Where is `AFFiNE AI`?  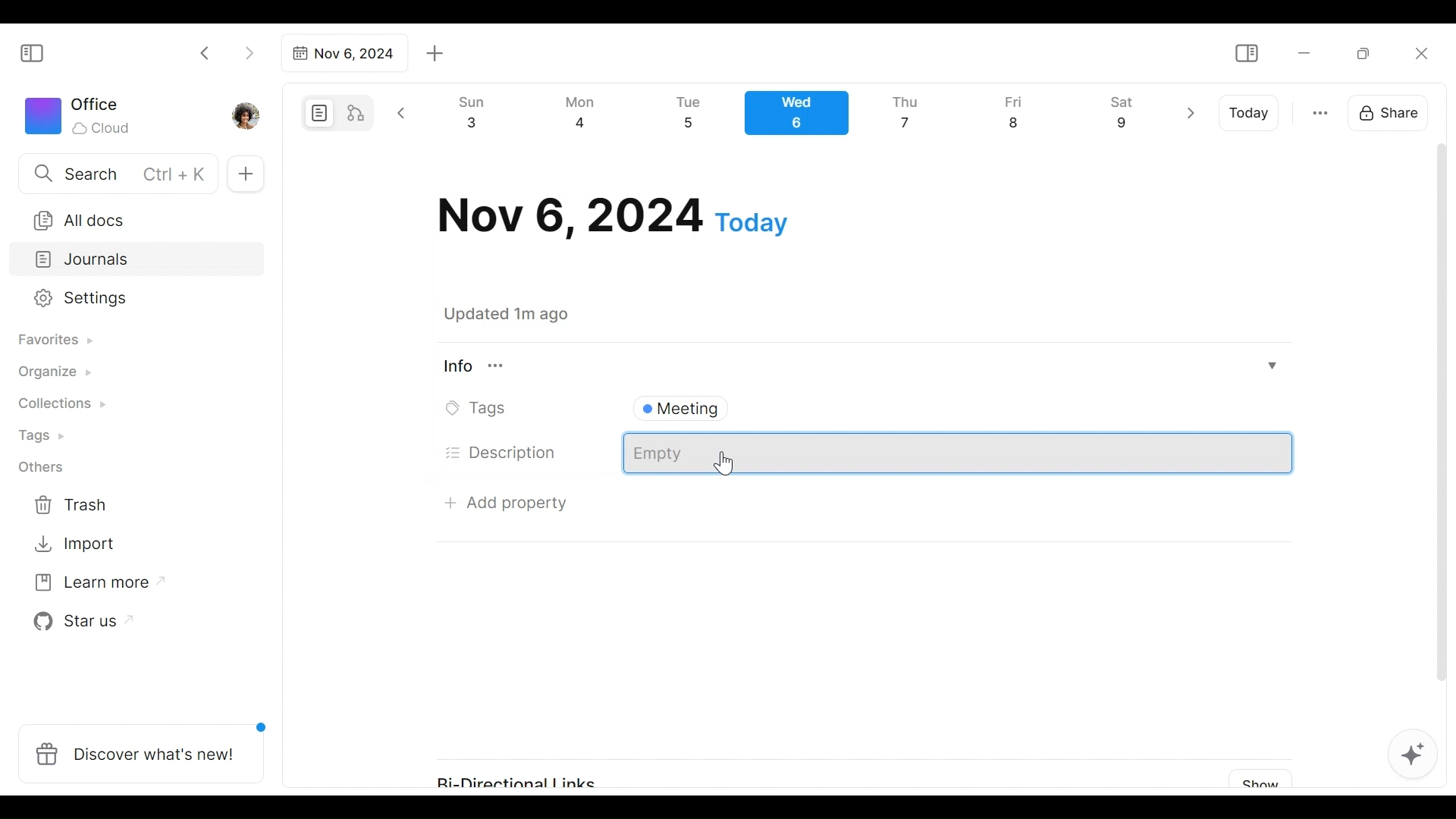
AFFiNE AI is located at coordinates (1413, 756).